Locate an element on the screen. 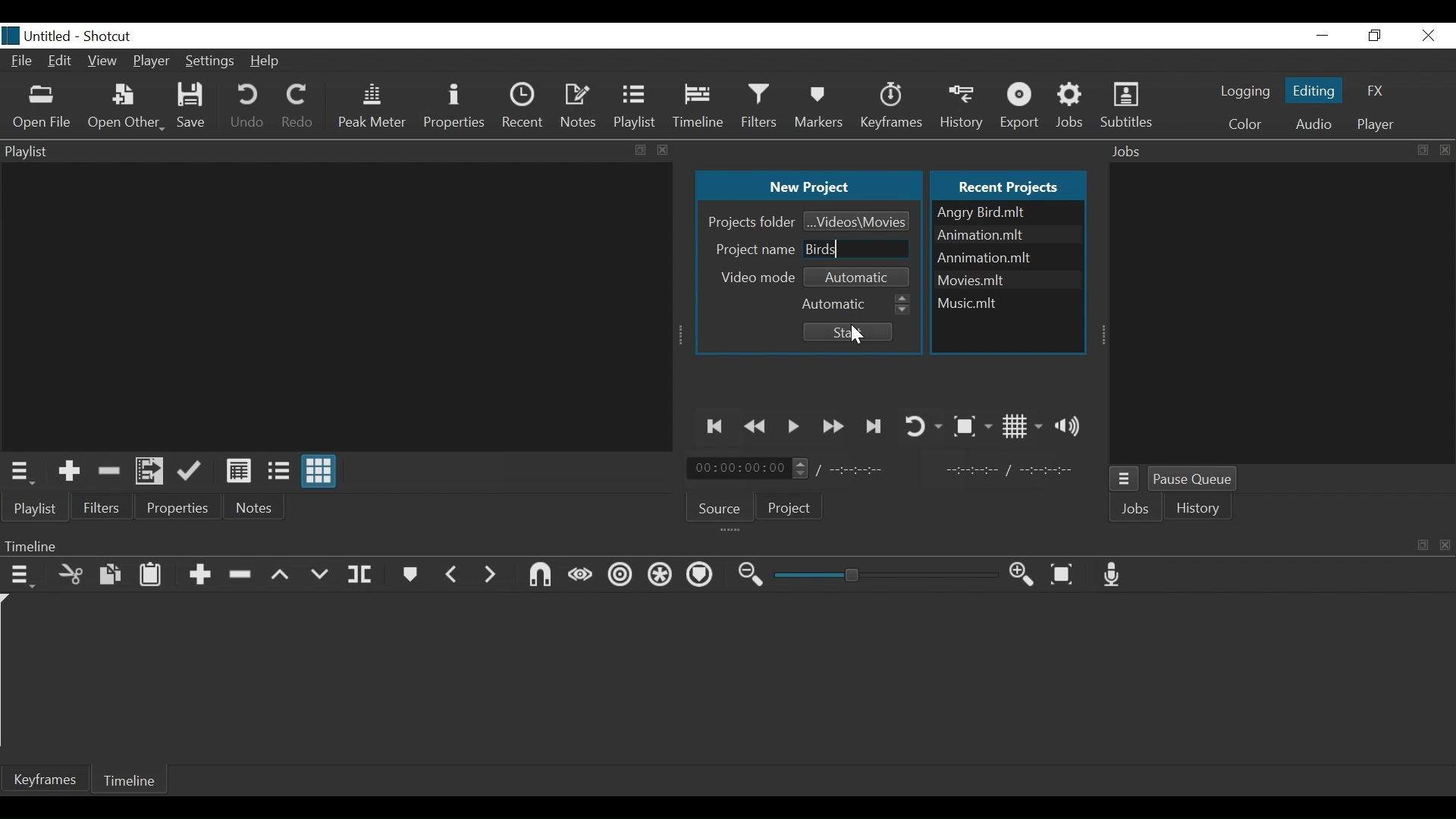 This screenshot has width=1456, height=819. Close is located at coordinates (1426, 35).